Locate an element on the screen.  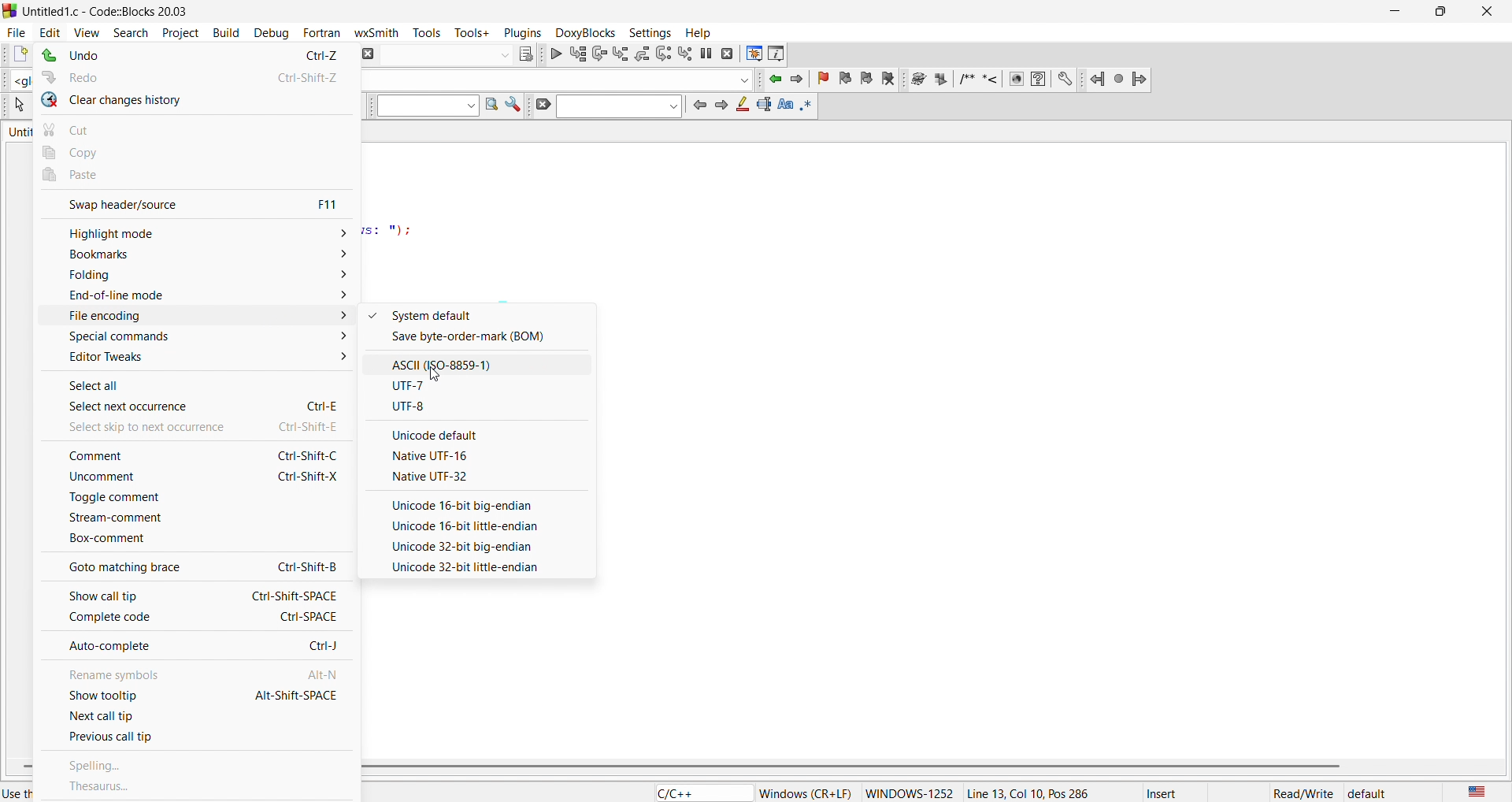
select all  is located at coordinates (189, 385).